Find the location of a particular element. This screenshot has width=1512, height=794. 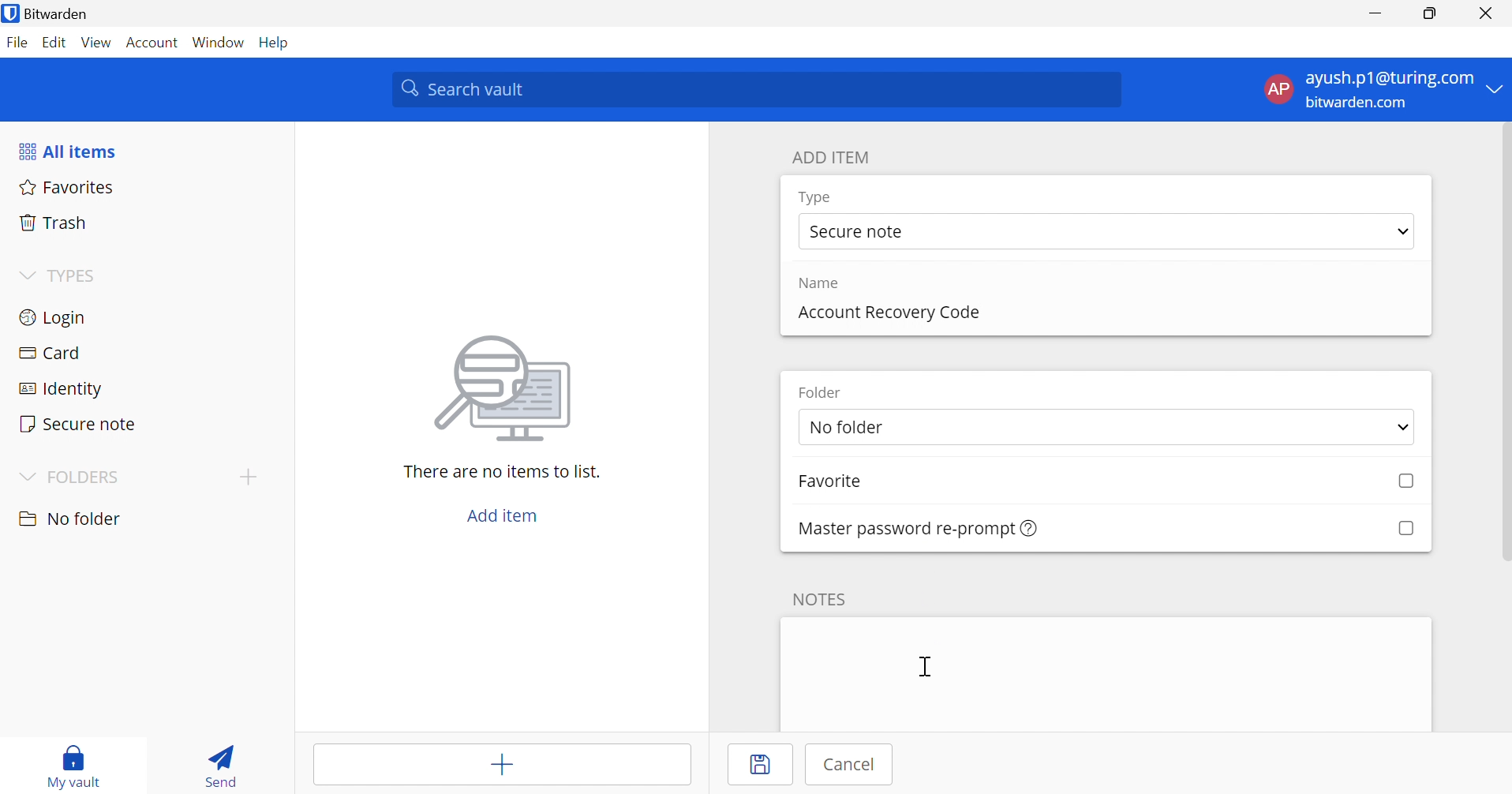

Favourites is located at coordinates (69, 189).